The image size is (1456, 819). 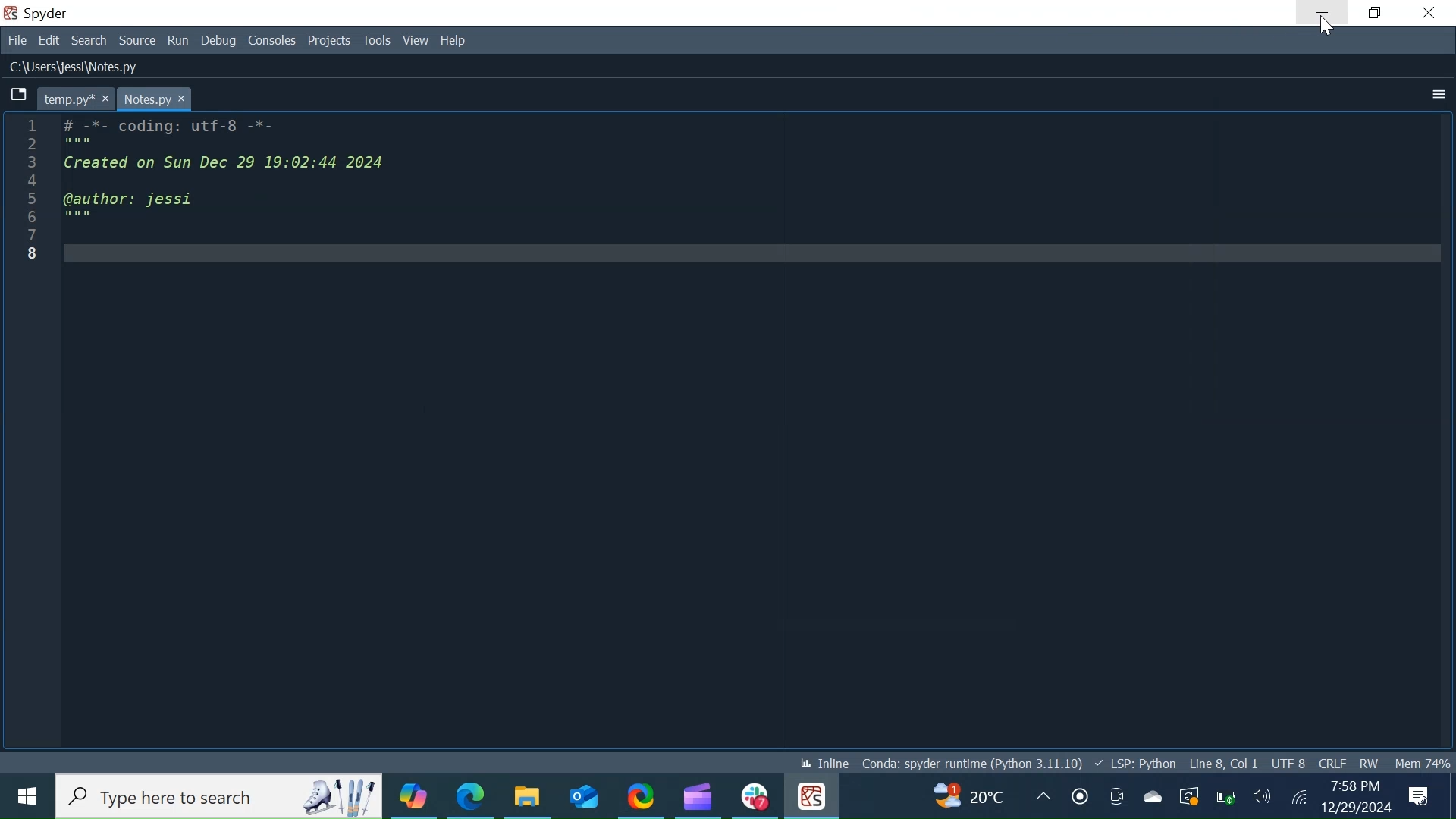 What do you see at coordinates (1225, 764) in the screenshot?
I see `Line 8, Col 1` at bounding box center [1225, 764].